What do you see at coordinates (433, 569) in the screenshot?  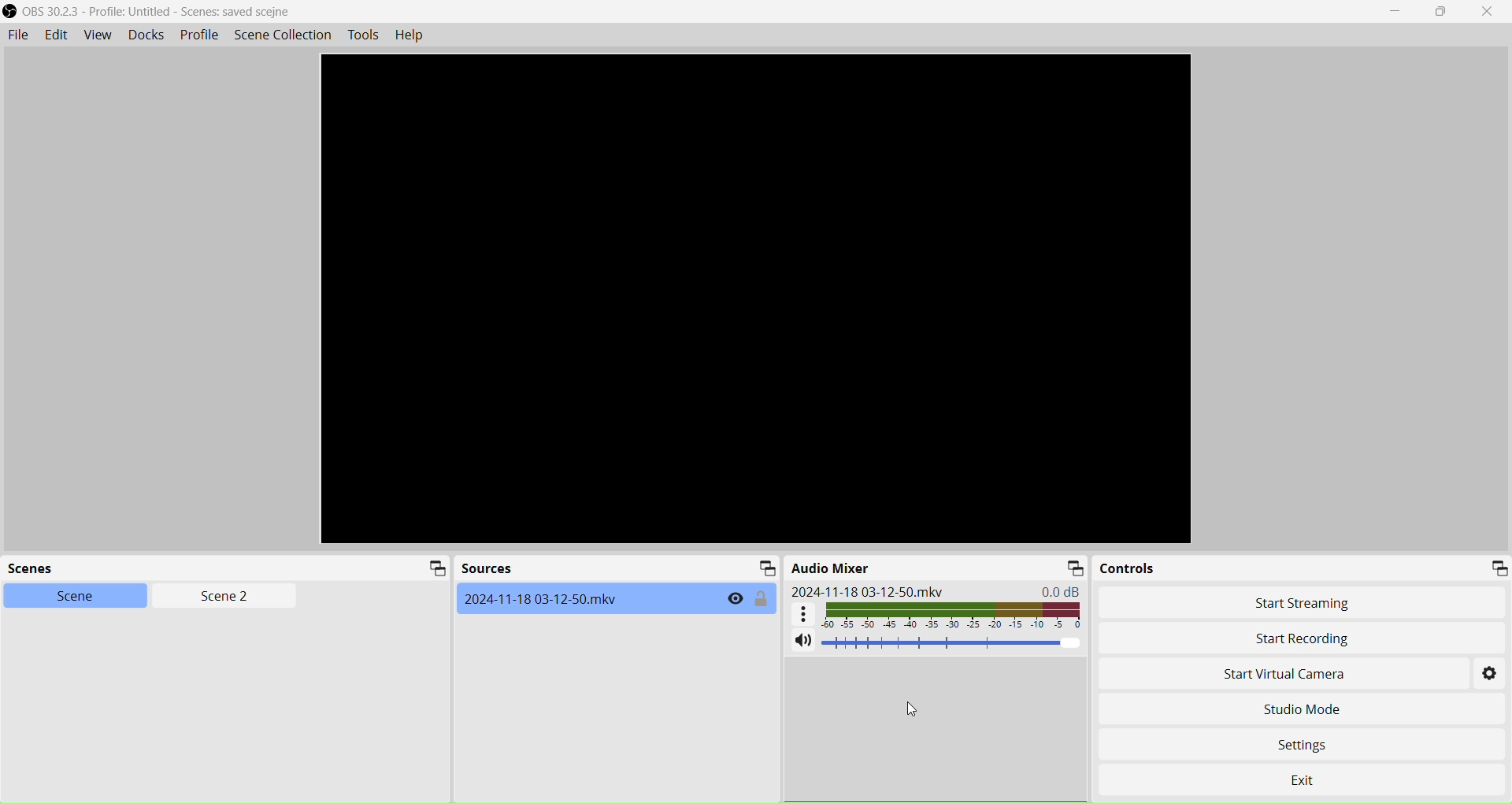 I see `Expand` at bounding box center [433, 569].